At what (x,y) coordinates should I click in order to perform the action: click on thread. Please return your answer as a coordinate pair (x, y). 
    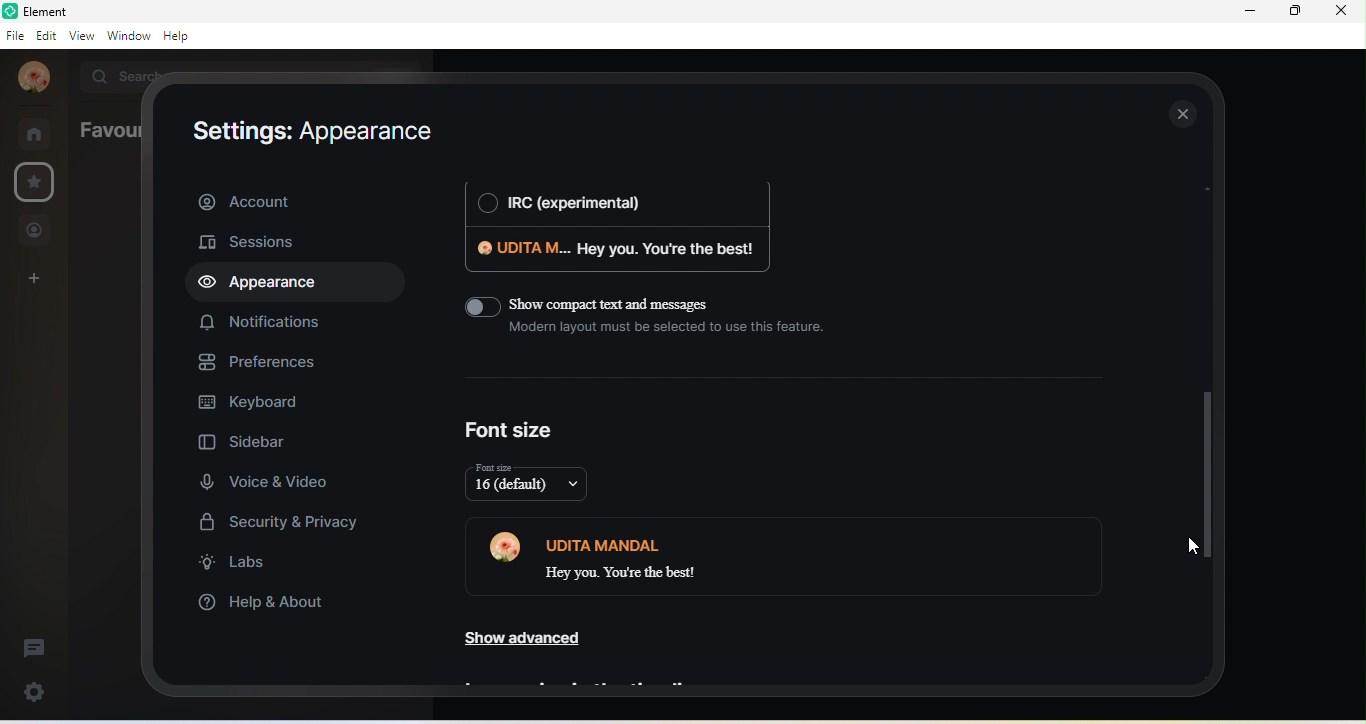
    Looking at the image, I should click on (32, 645).